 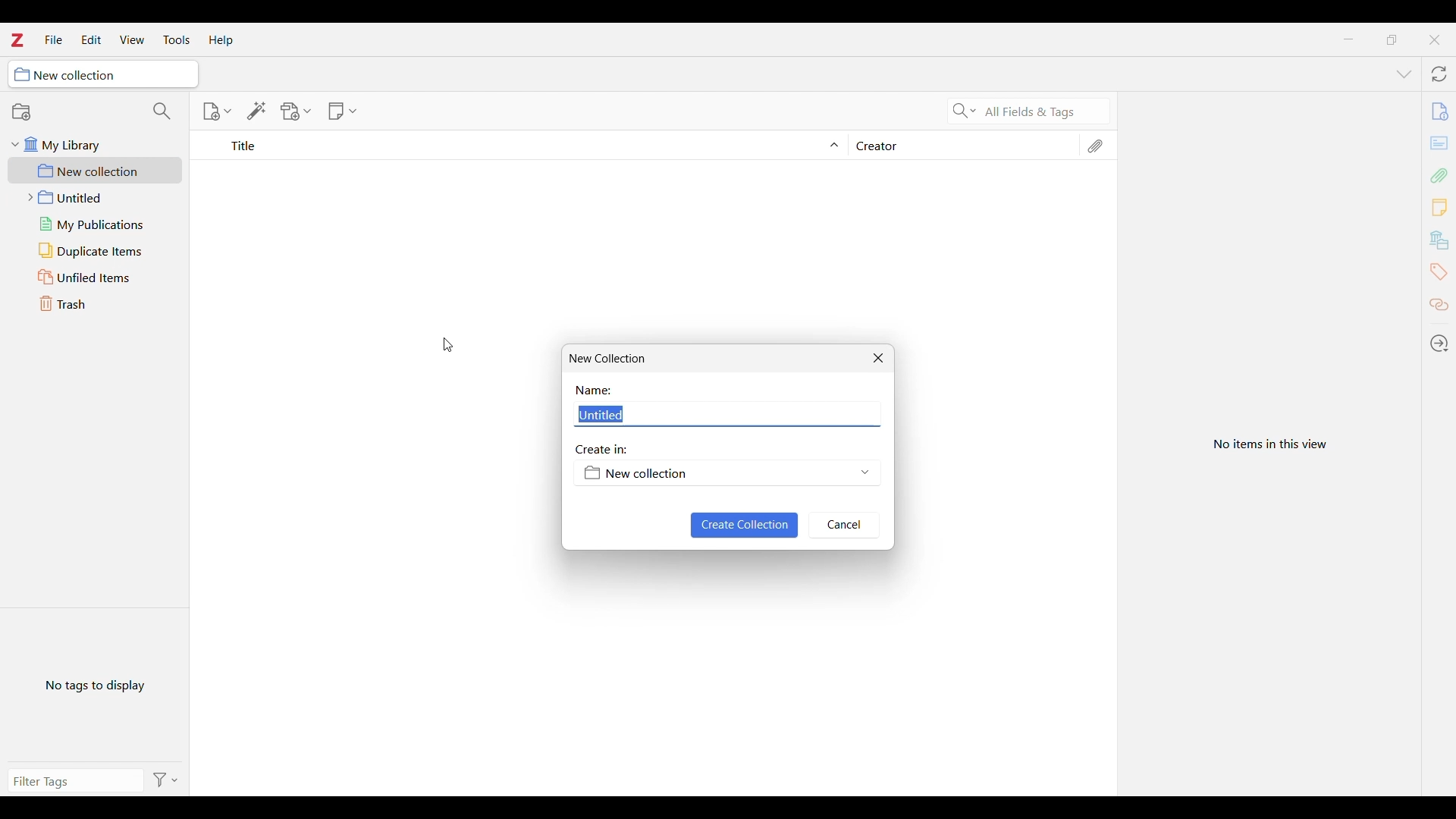 What do you see at coordinates (1439, 344) in the screenshot?
I see `Locate` at bounding box center [1439, 344].